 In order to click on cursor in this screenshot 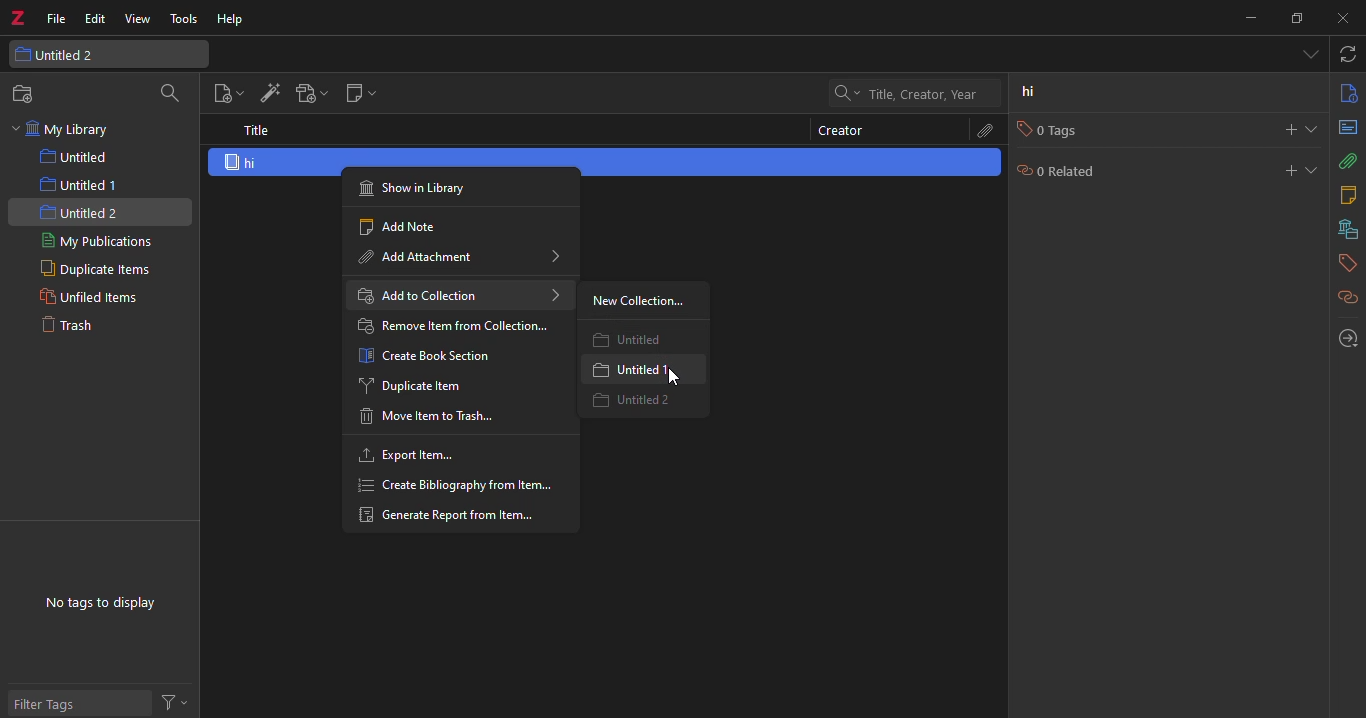, I will do `click(679, 375)`.